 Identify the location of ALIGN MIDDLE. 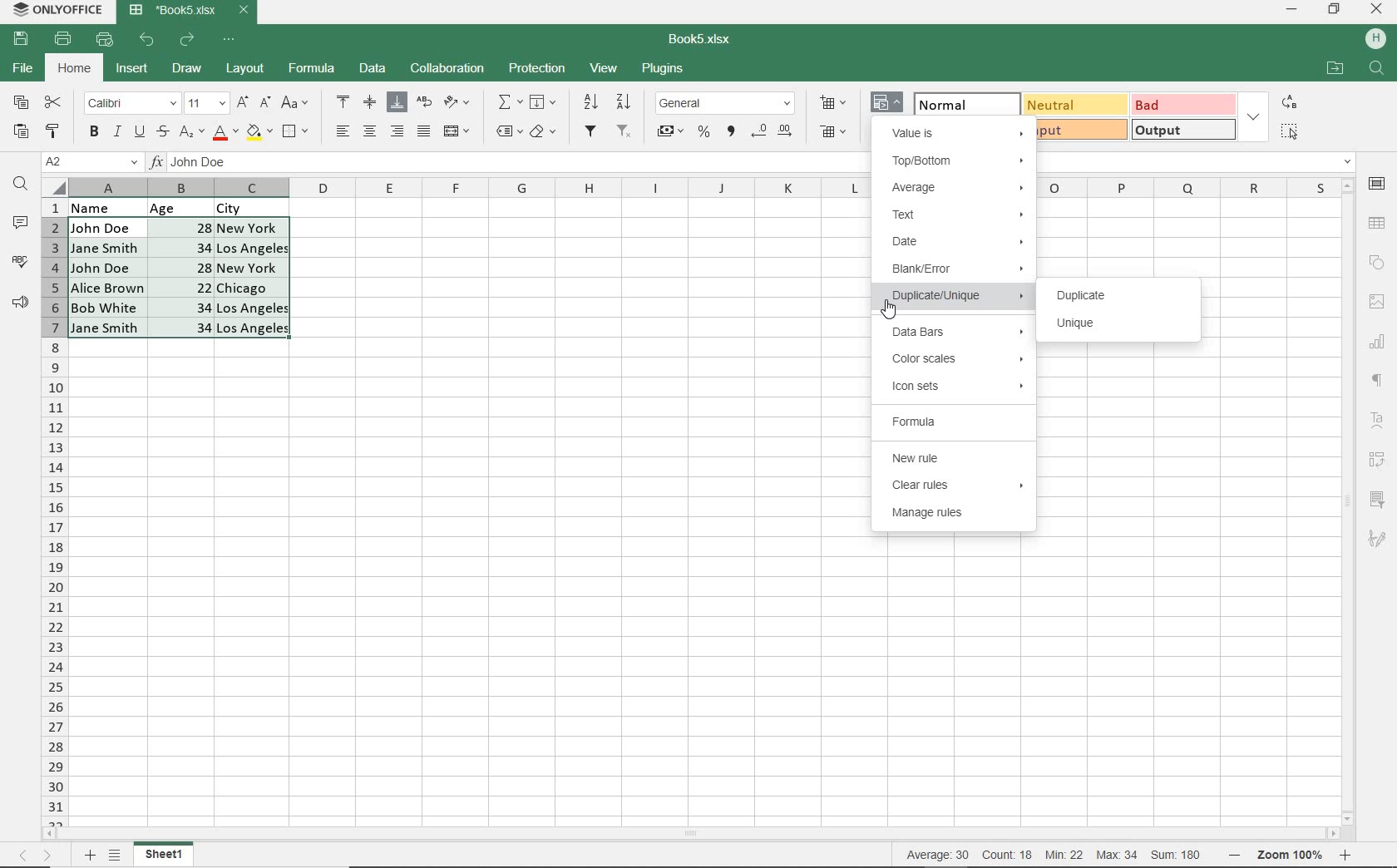
(369, 101).